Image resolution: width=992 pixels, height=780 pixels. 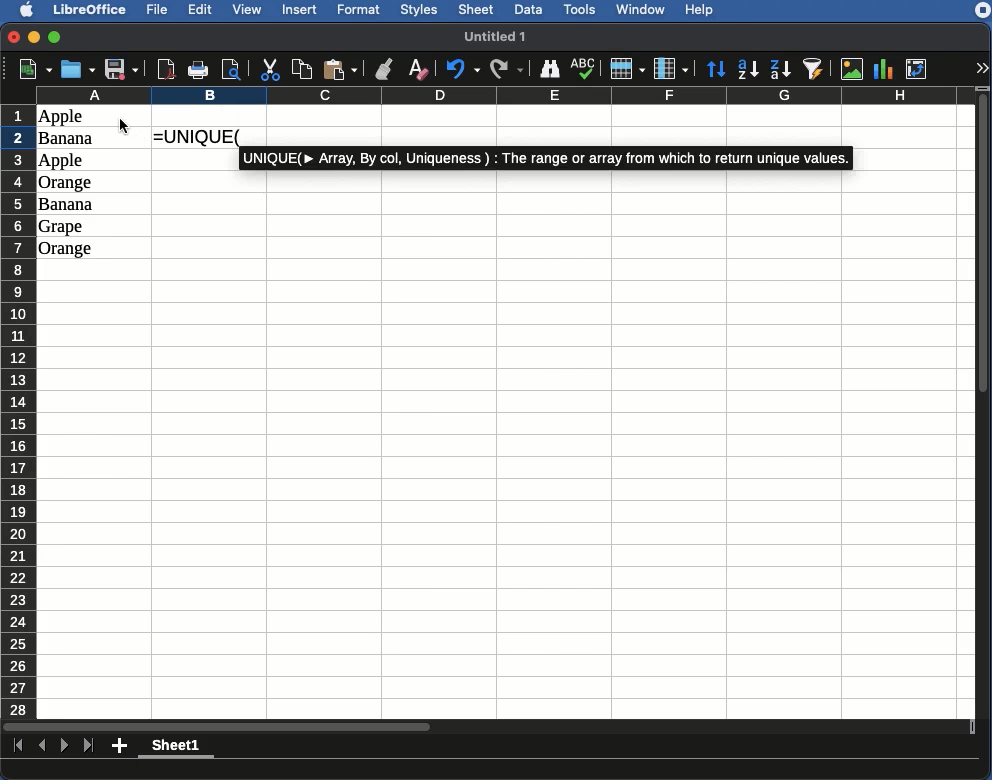 I want to click on Last sheet, so click(x=90, y=746).